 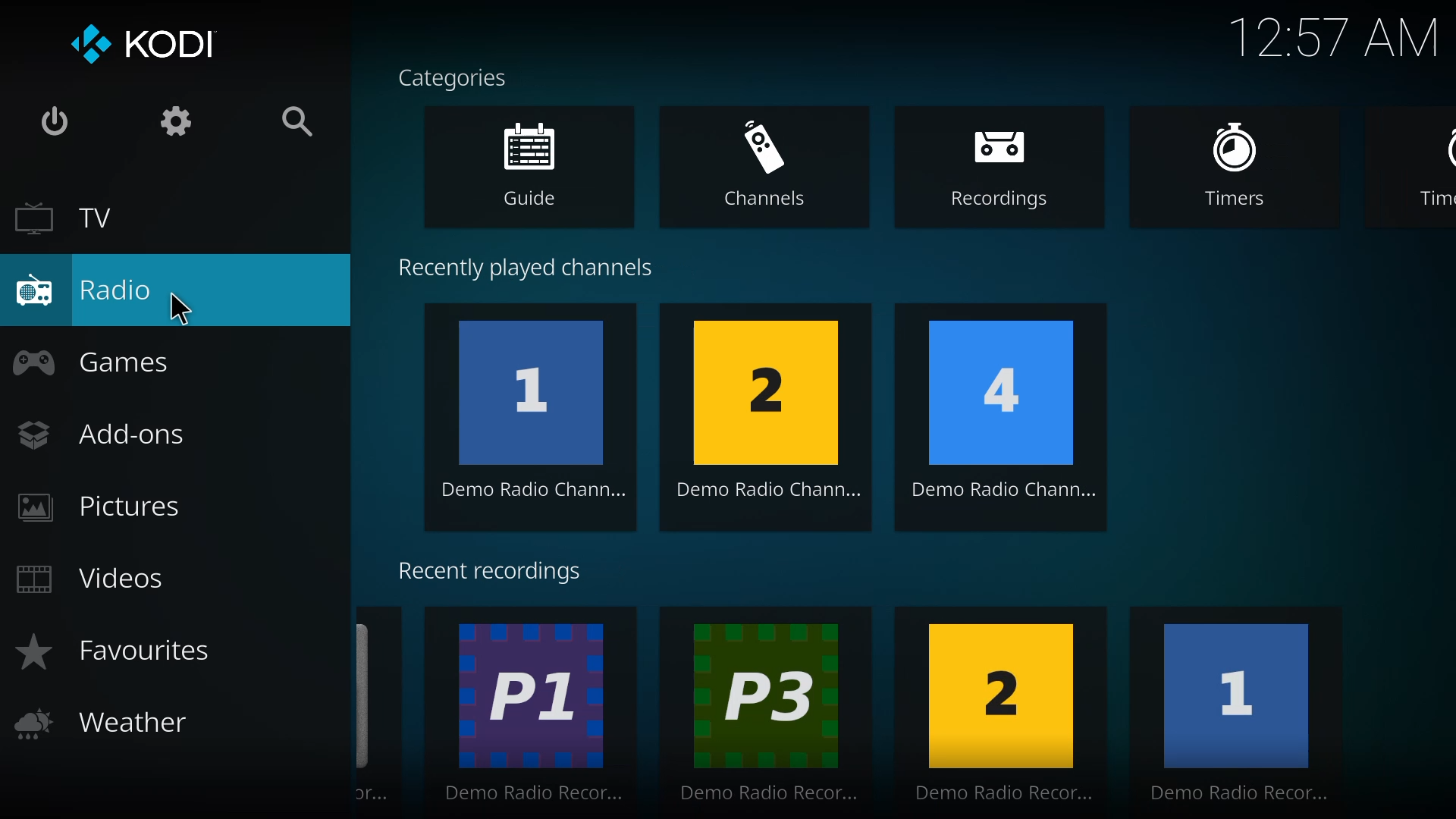 What do you see at coordinates (302, 121) in the screenshot?
I see `search` at bounding box center [302, 121].